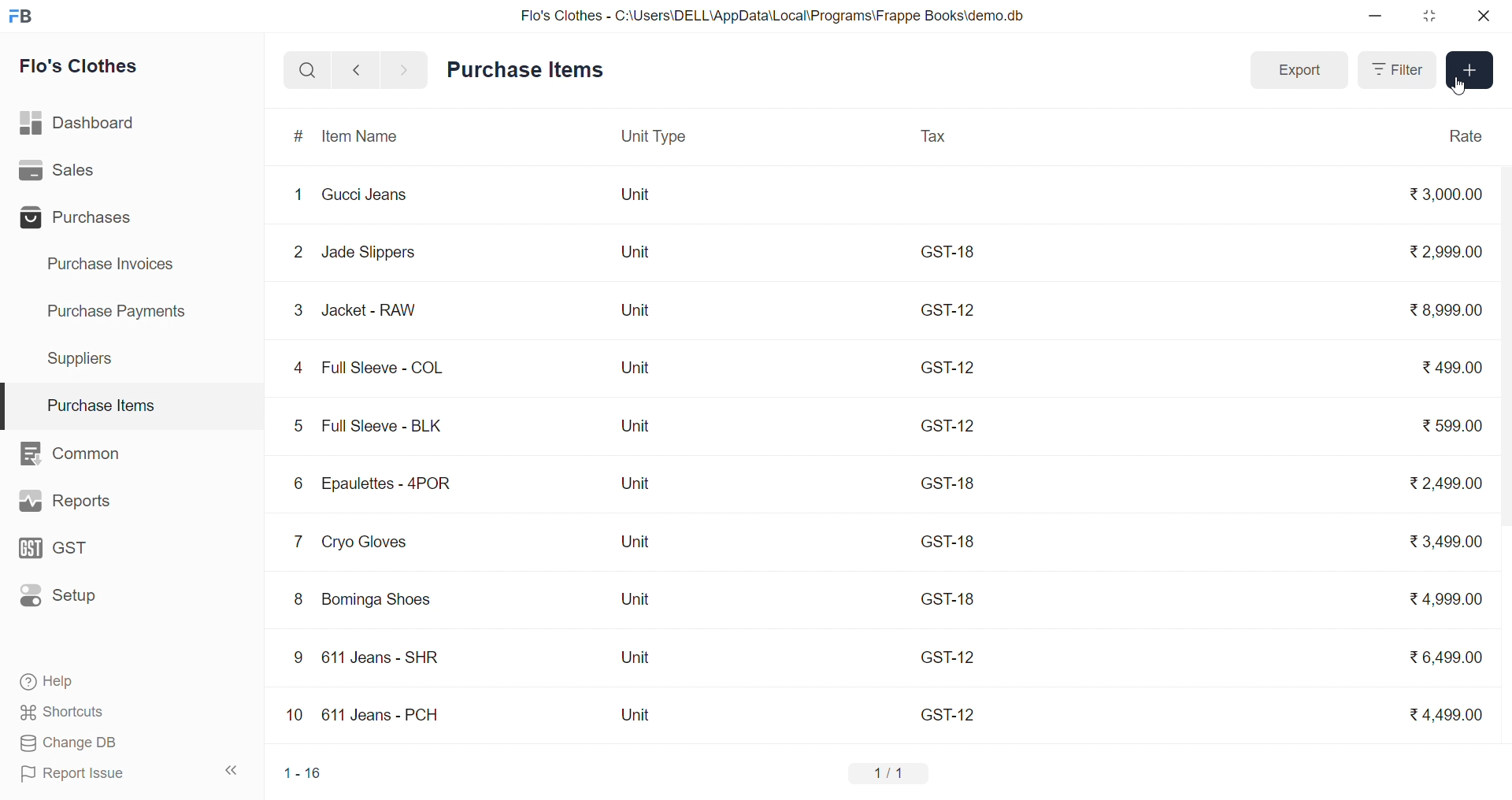  I want to click on 5, so click(298, 424).